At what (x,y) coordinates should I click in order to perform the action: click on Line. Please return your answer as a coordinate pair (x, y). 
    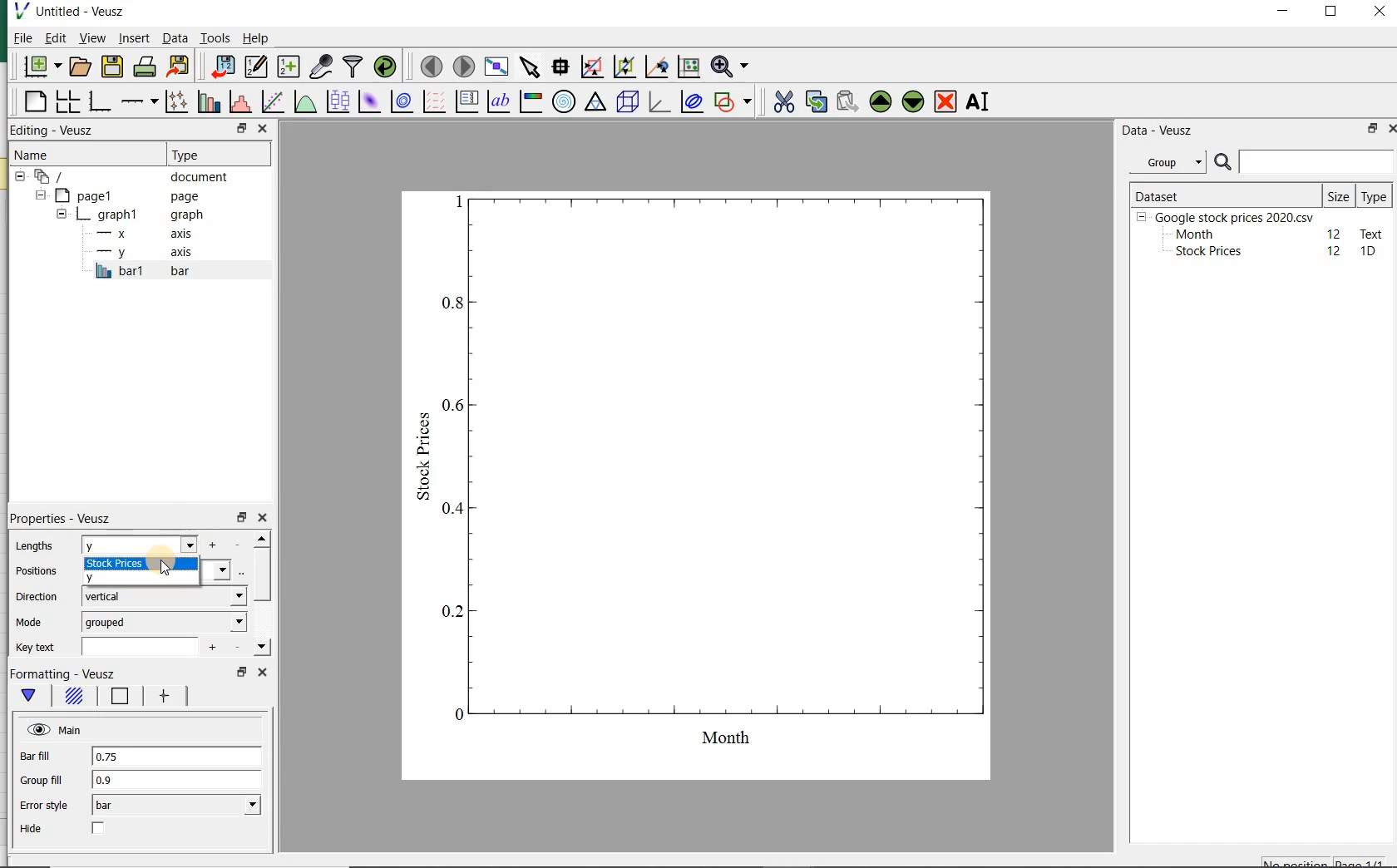
    Looking at the image, I should click on (120, 697).